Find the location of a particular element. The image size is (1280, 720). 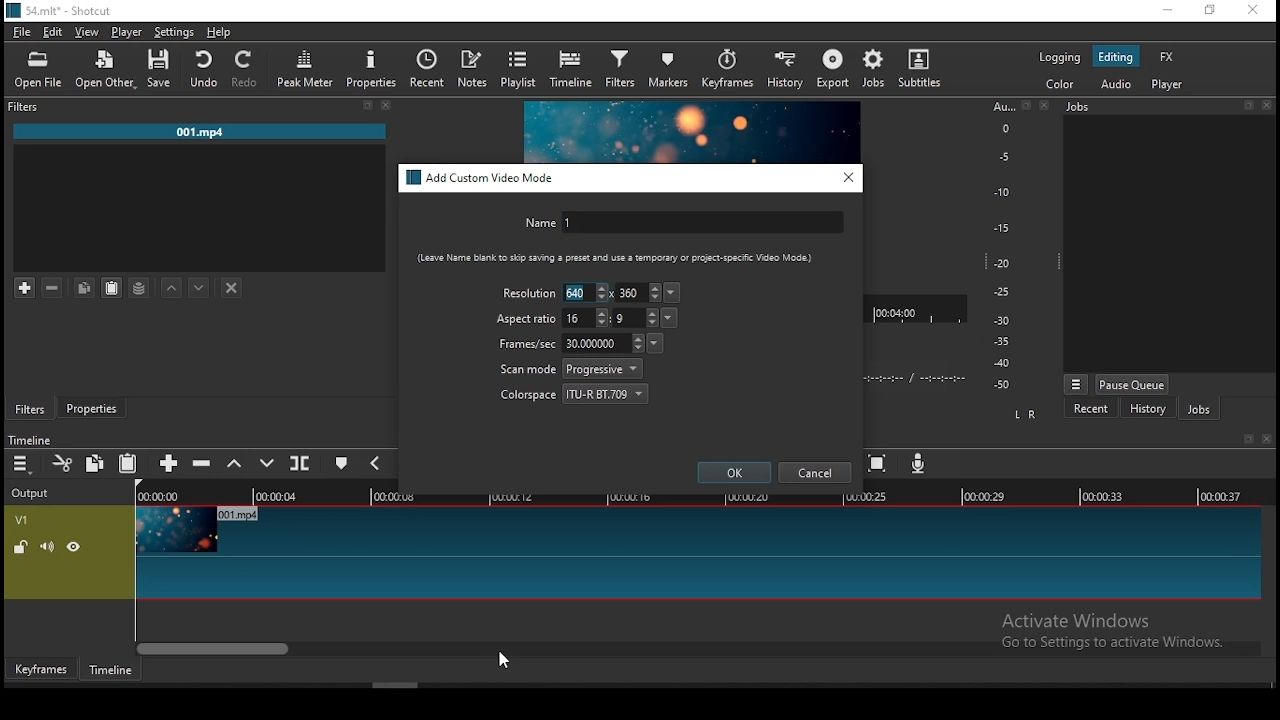

restore is located at coordinates (1208, 11).